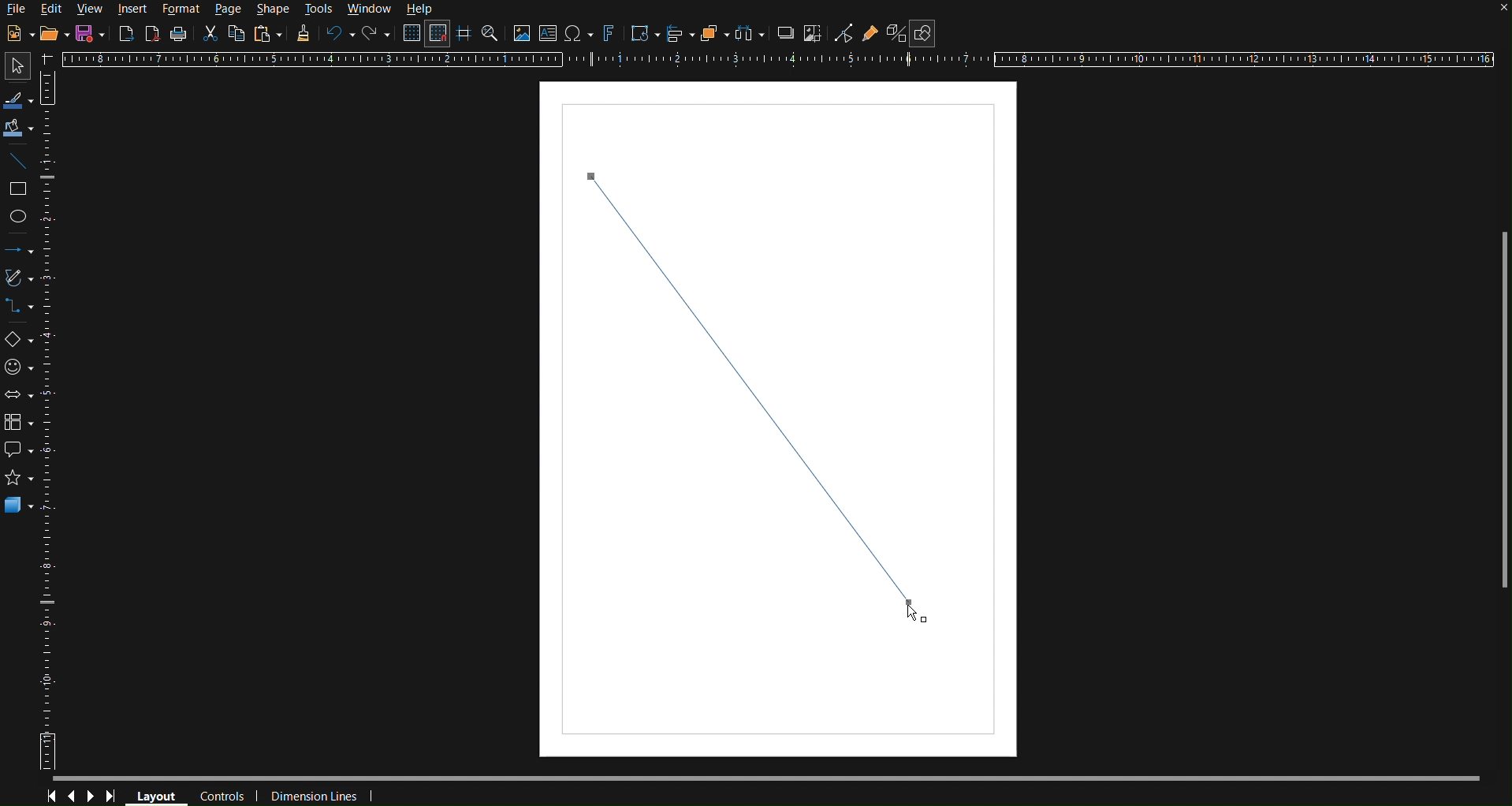 This screenshot has height=806, width=1512. What do you see at coordinates (762, 396) in the screenshot?
I see `Line (finalized)` at bounding box center [762, 396].